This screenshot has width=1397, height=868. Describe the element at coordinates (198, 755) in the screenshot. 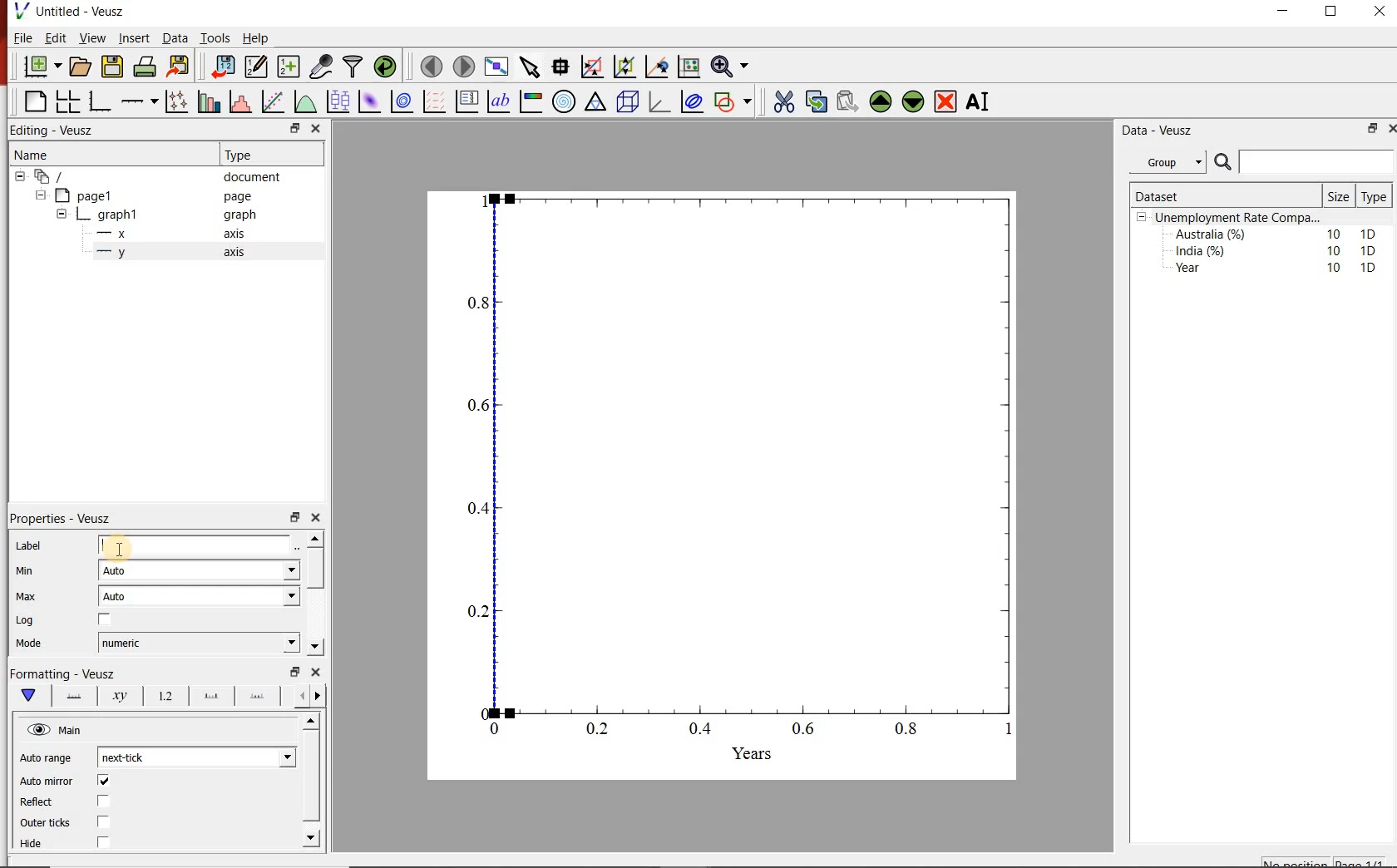

I see `next-tick` at that location.